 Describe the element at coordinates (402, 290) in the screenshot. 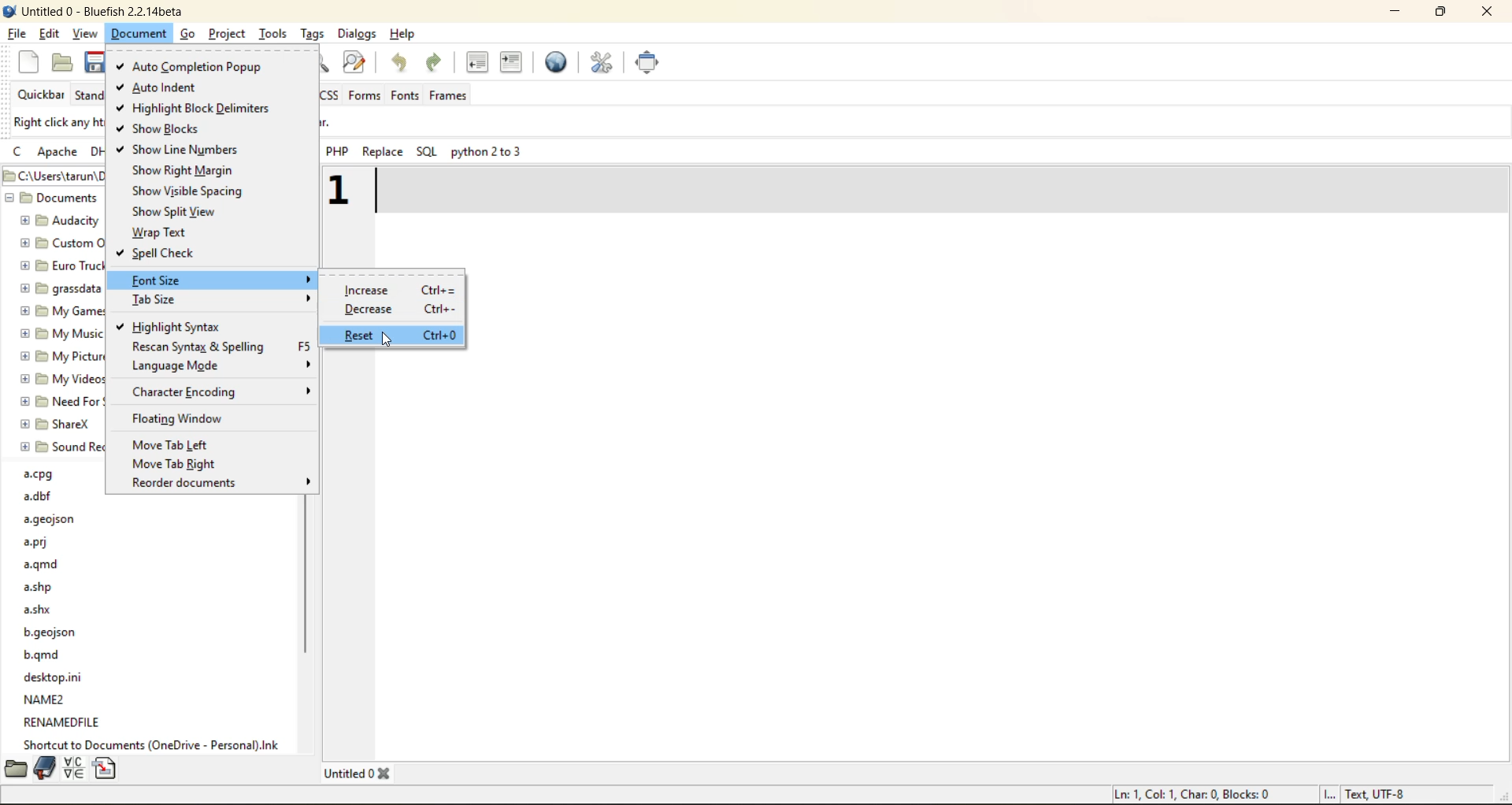

I see `increase` at that location.